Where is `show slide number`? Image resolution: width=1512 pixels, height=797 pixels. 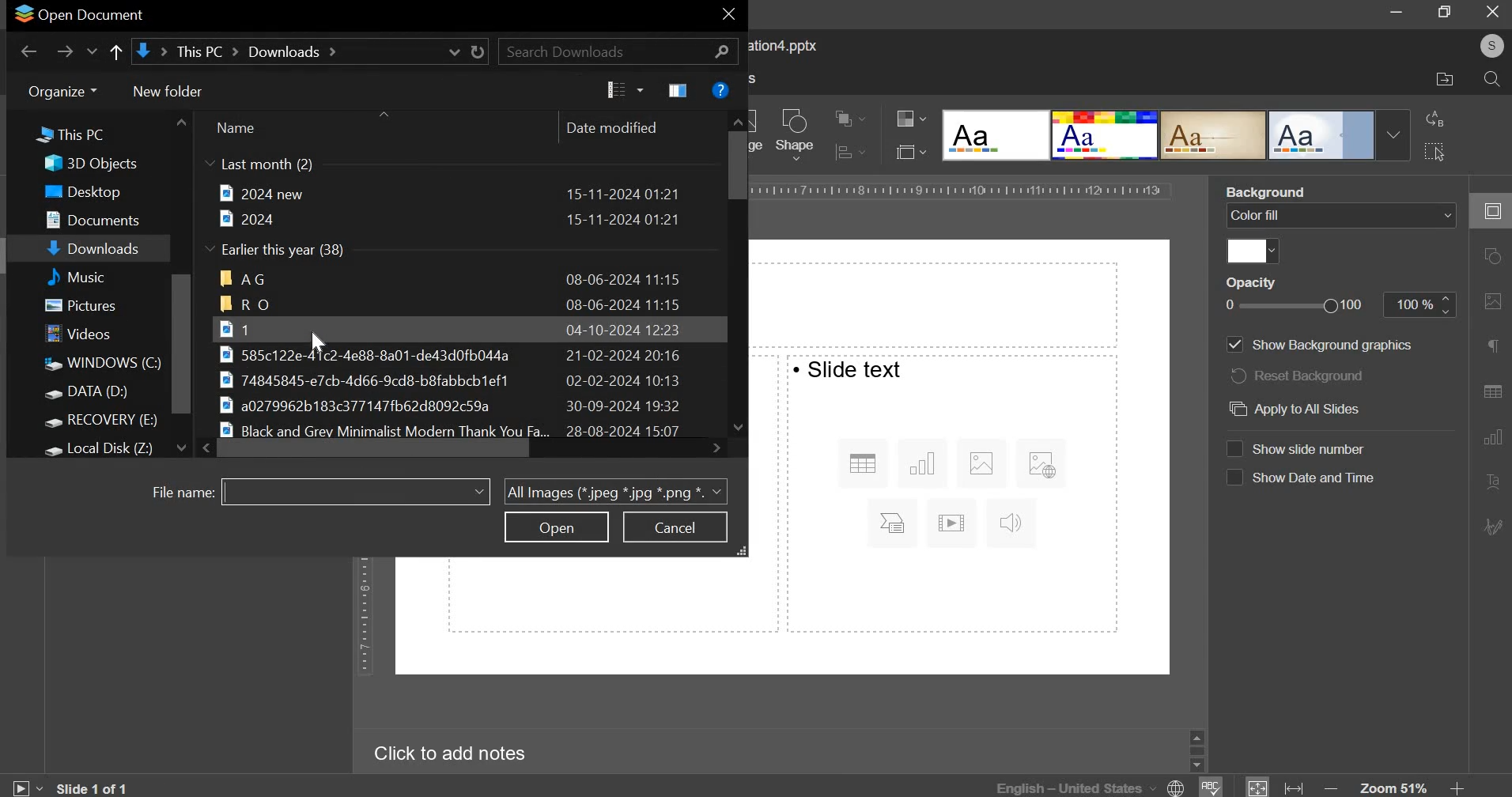
show slide number is located at coordinates (1317, 448).